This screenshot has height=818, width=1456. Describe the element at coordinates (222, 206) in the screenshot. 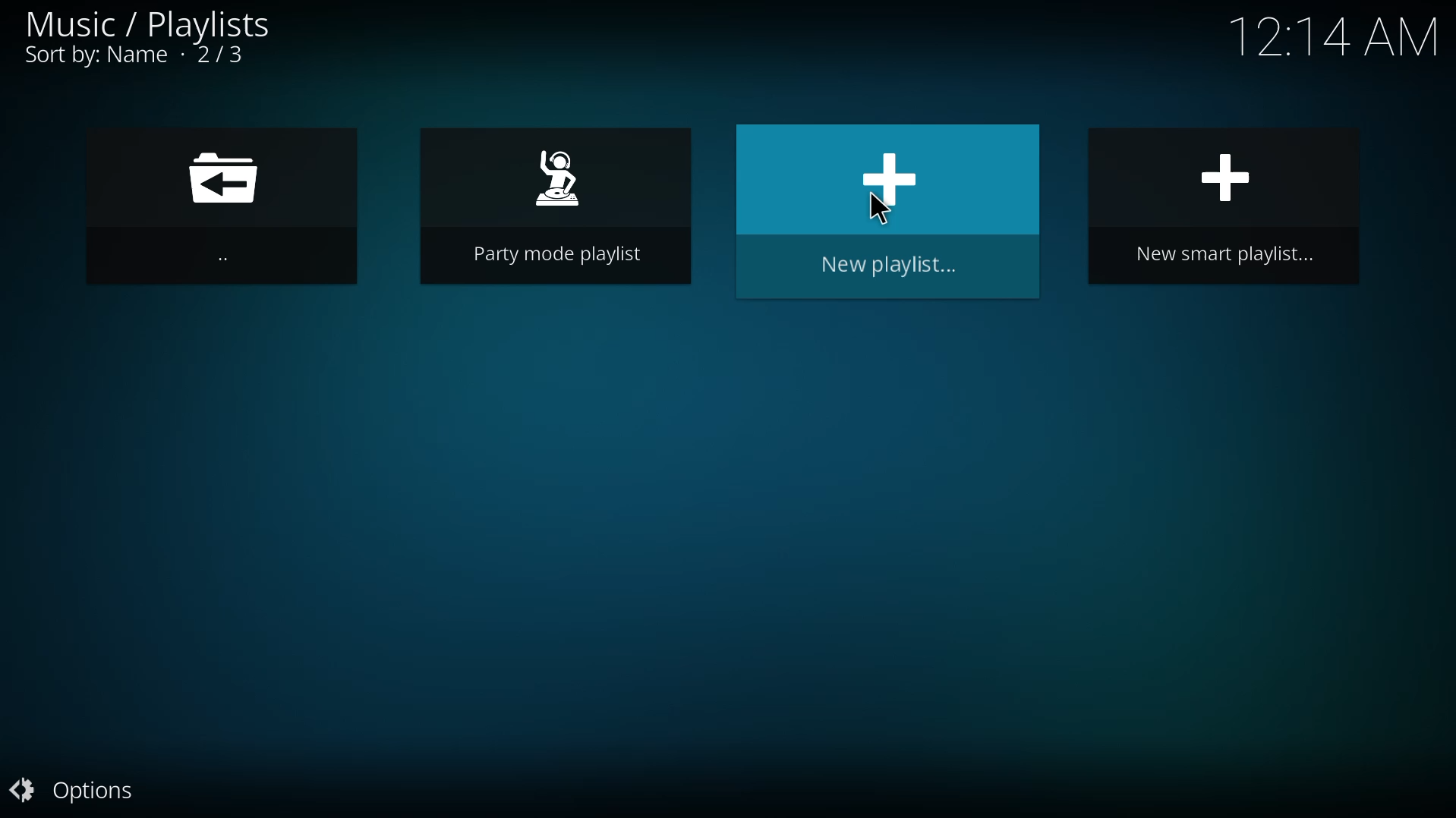

I see `back` at that location.